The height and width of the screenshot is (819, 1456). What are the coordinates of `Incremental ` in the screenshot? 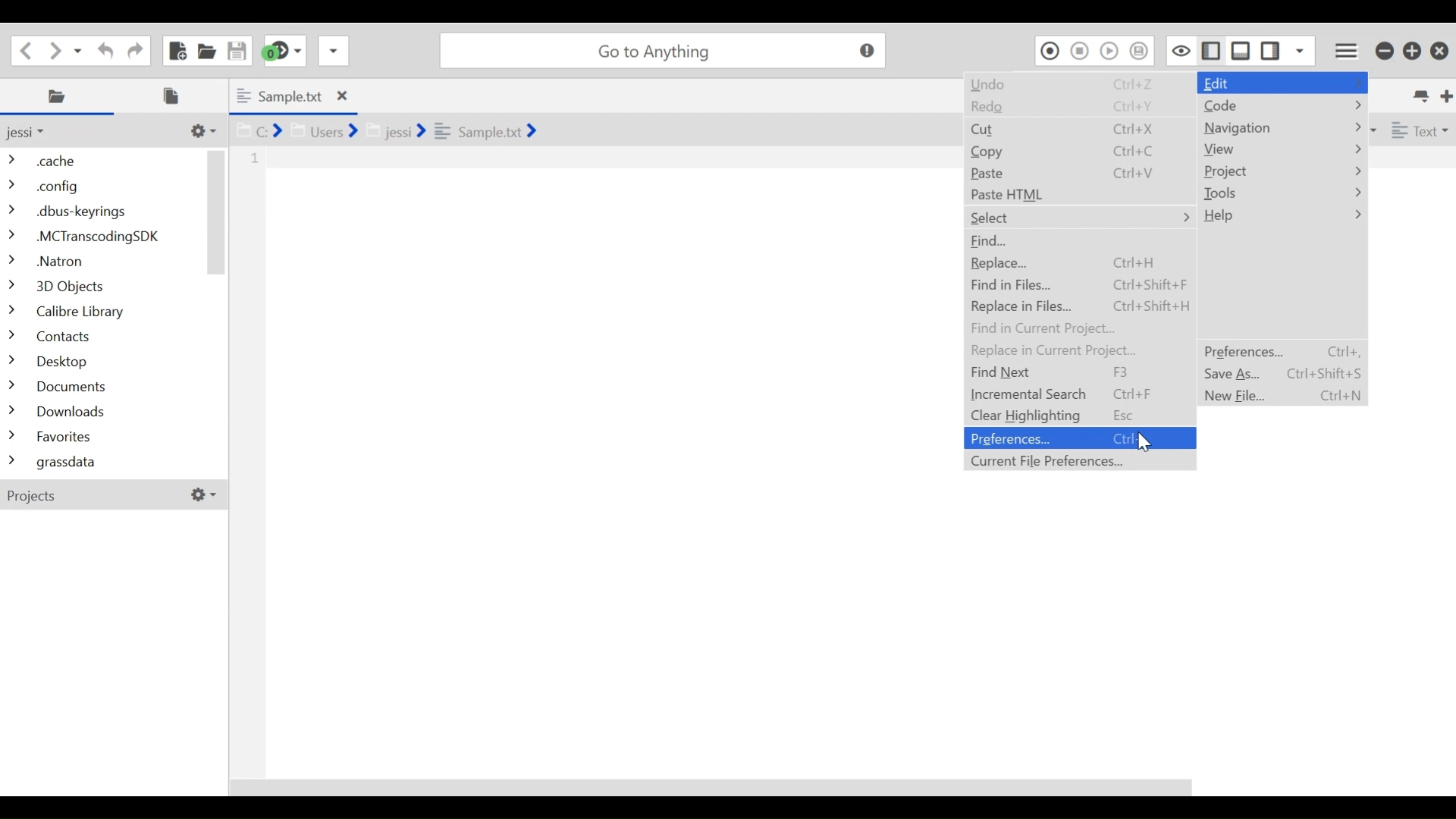 It's located at (1078, 394).